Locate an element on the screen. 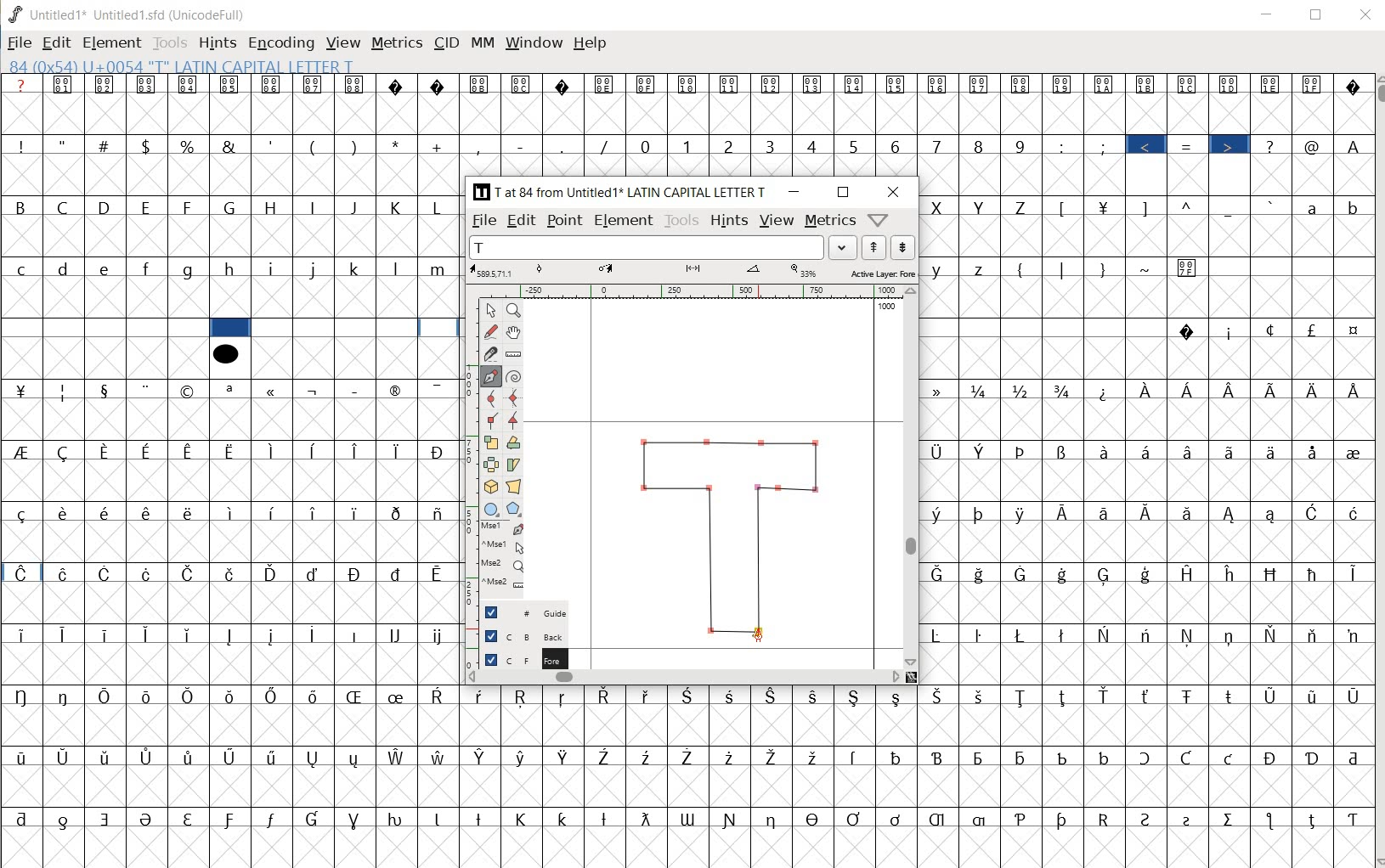 The height and width of the screenshot is (868, 1385). Symbol is located at coordinates (981, 84).